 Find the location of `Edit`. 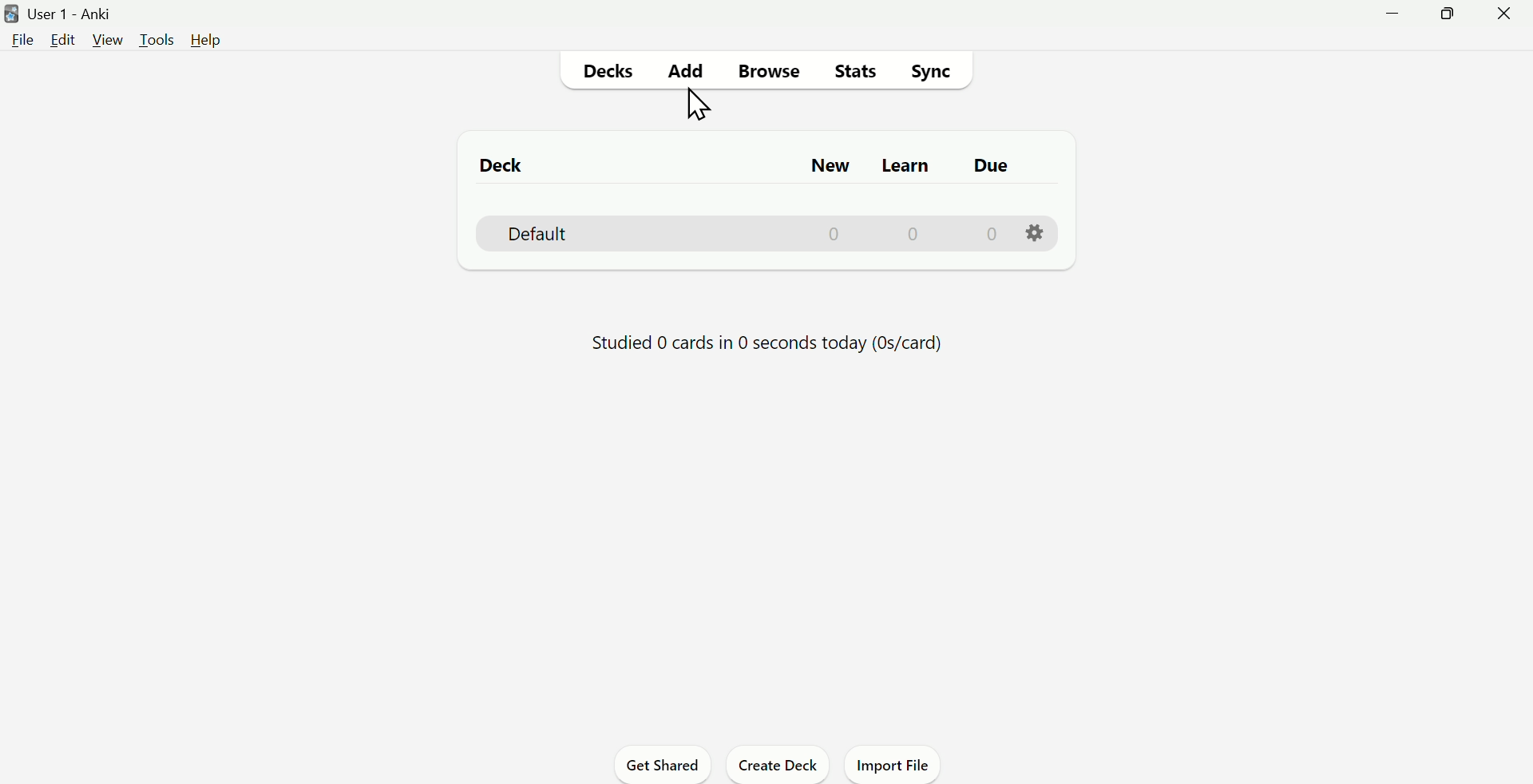

Edit is located at coordinates (62, 42).